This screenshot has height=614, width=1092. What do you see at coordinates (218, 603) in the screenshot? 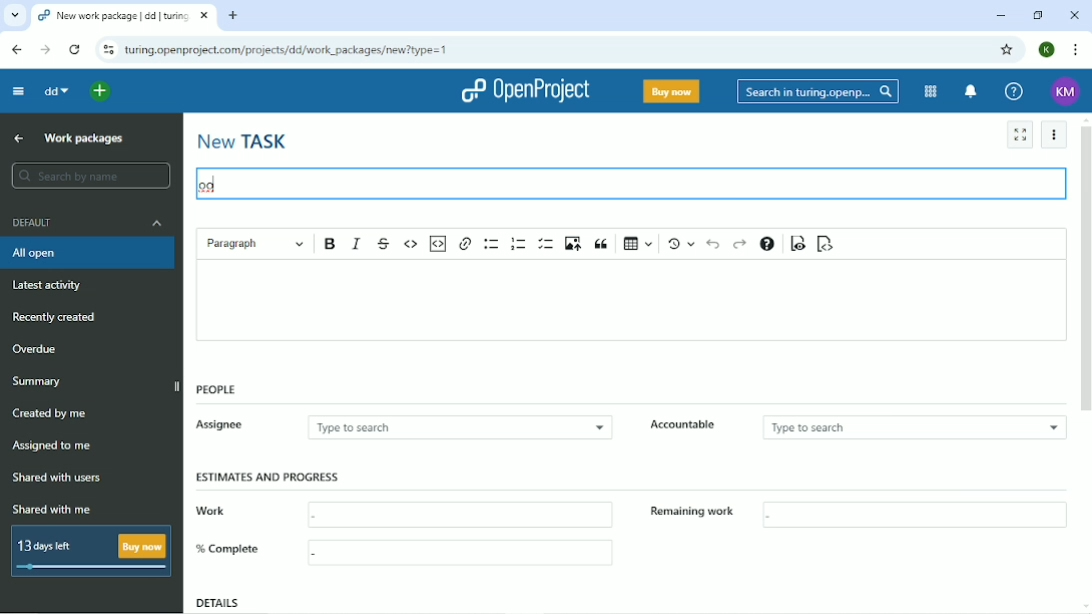
I see `Details` at bounding box center [218, 603].